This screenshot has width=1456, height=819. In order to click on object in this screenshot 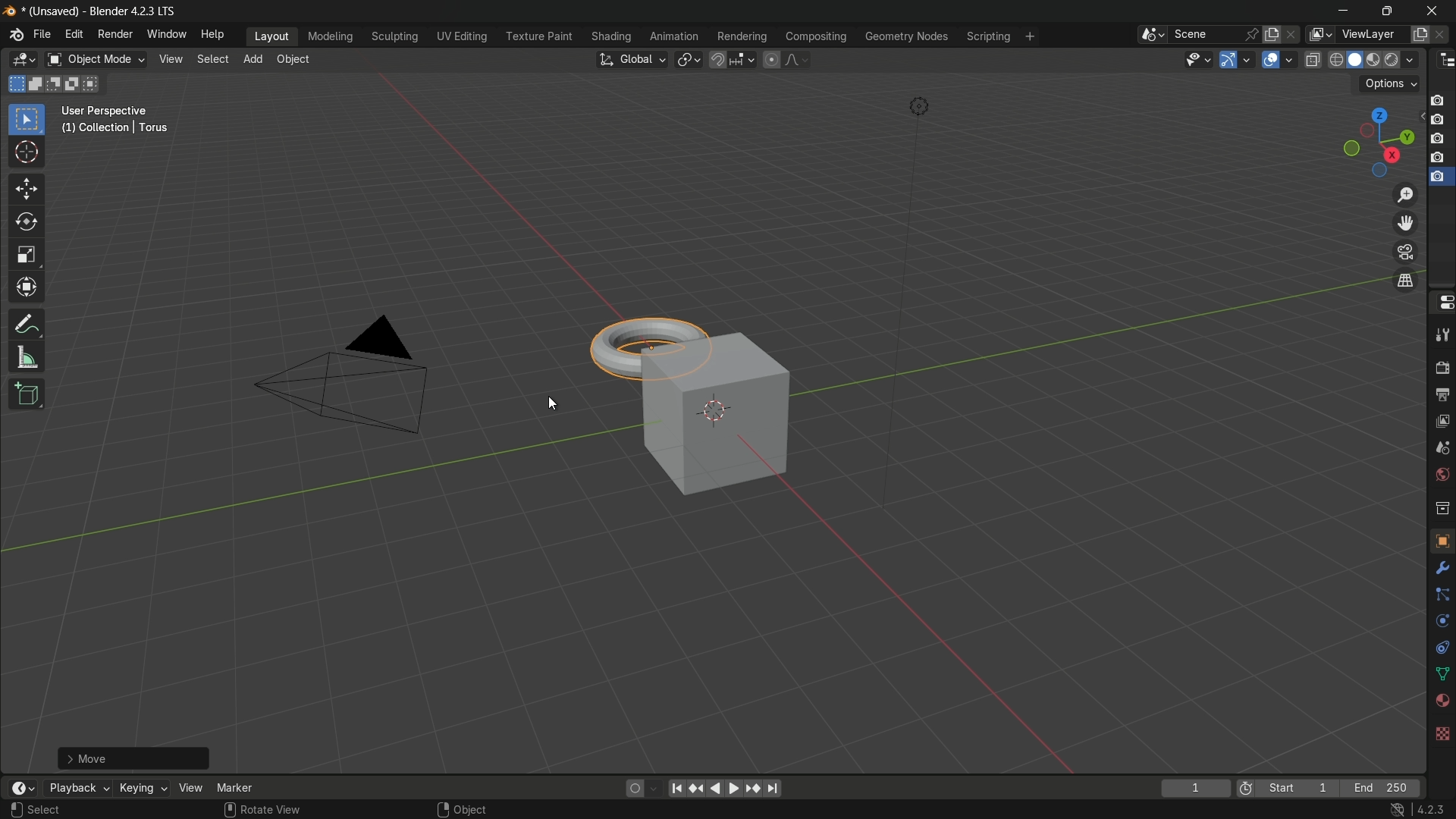, I will do `click(293, 59)`.